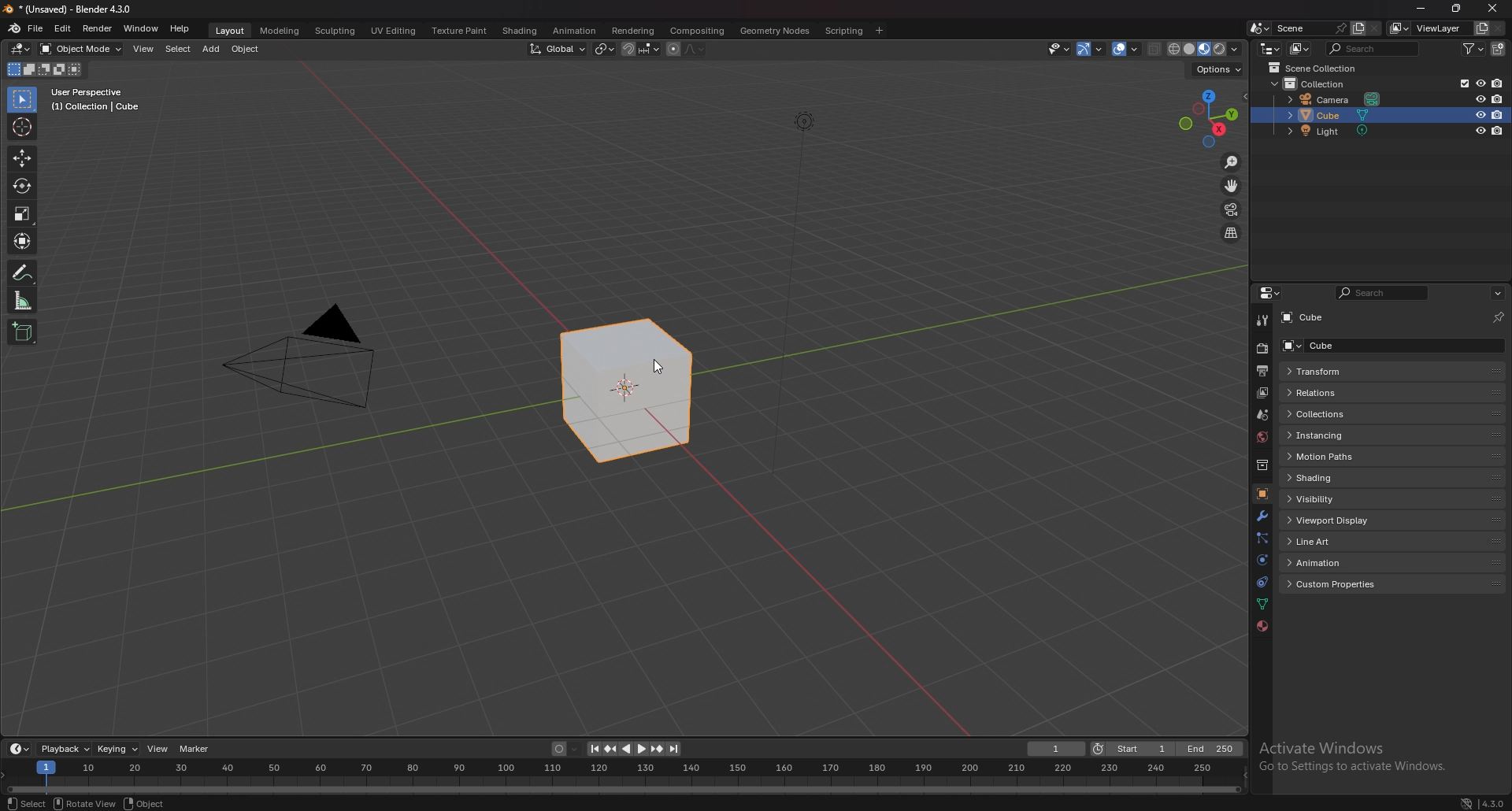  What do you see at coordinates (1494, 9) in the screenshot?
I see `close` at bounding box center [1494, 9].